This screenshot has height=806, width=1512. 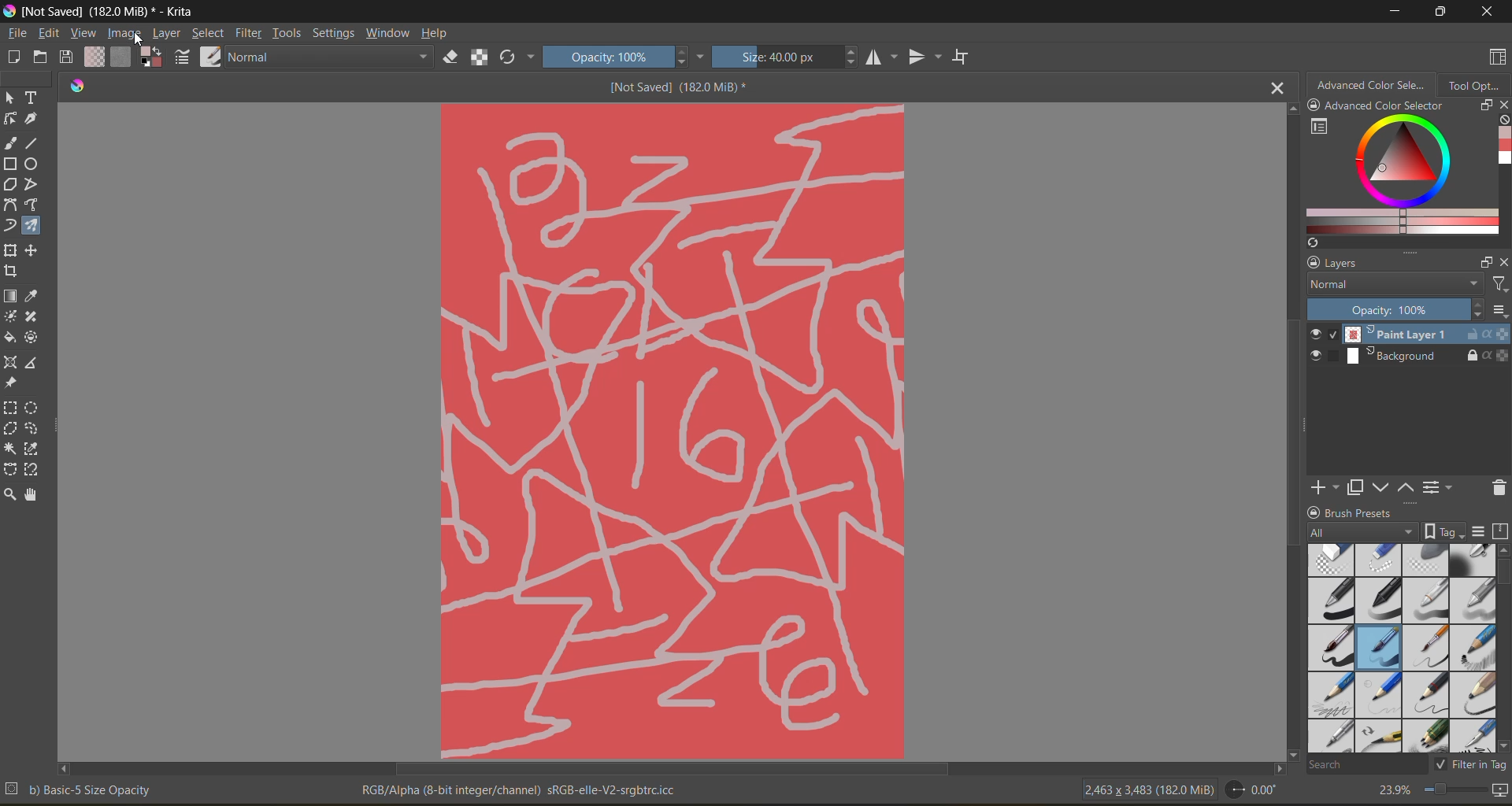 What do you see at coordinates (209, 34) in the screenshot?
I see `select` at bounding box center [209, 34].